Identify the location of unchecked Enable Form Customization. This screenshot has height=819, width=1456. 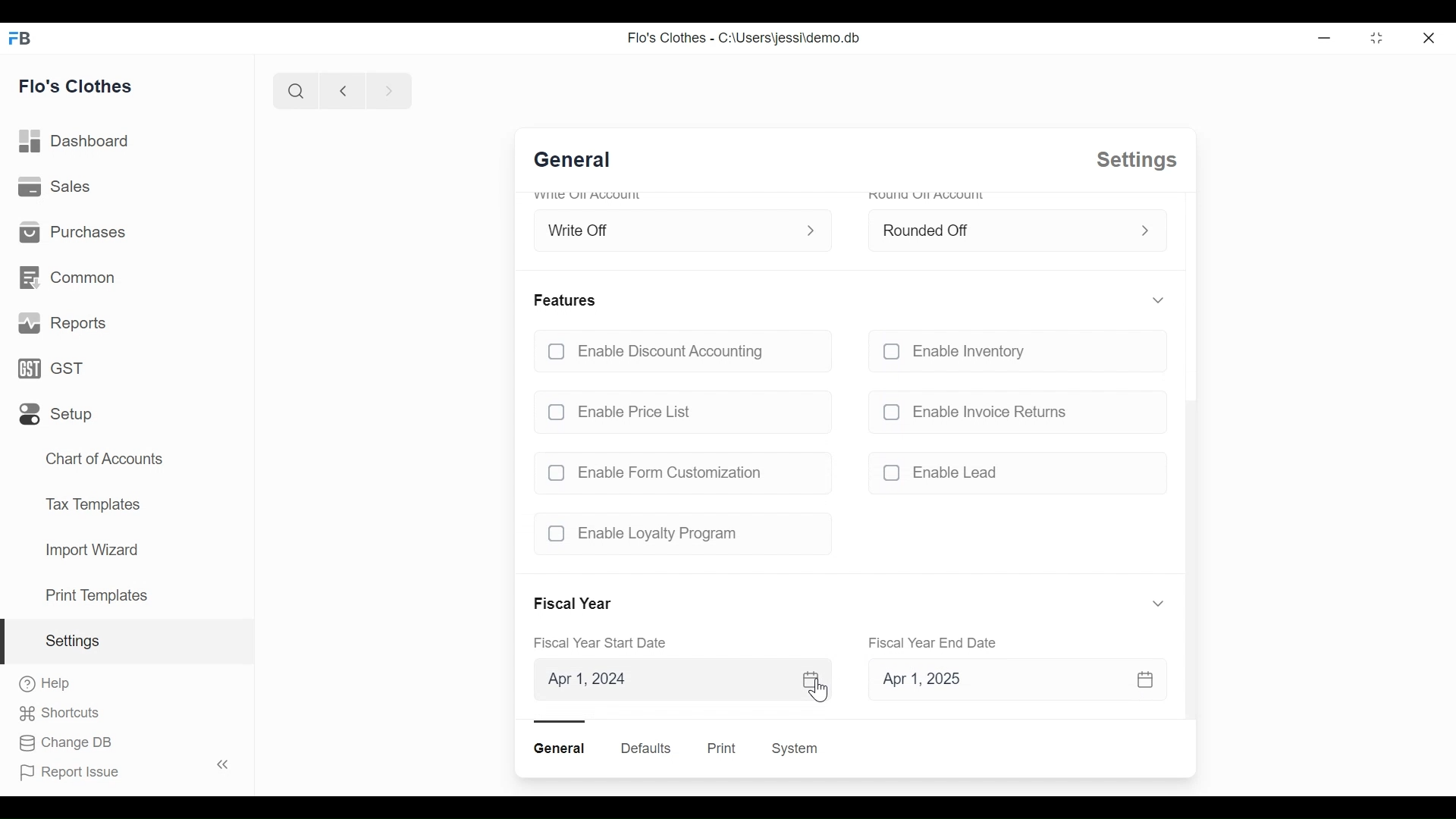
(676, 472).